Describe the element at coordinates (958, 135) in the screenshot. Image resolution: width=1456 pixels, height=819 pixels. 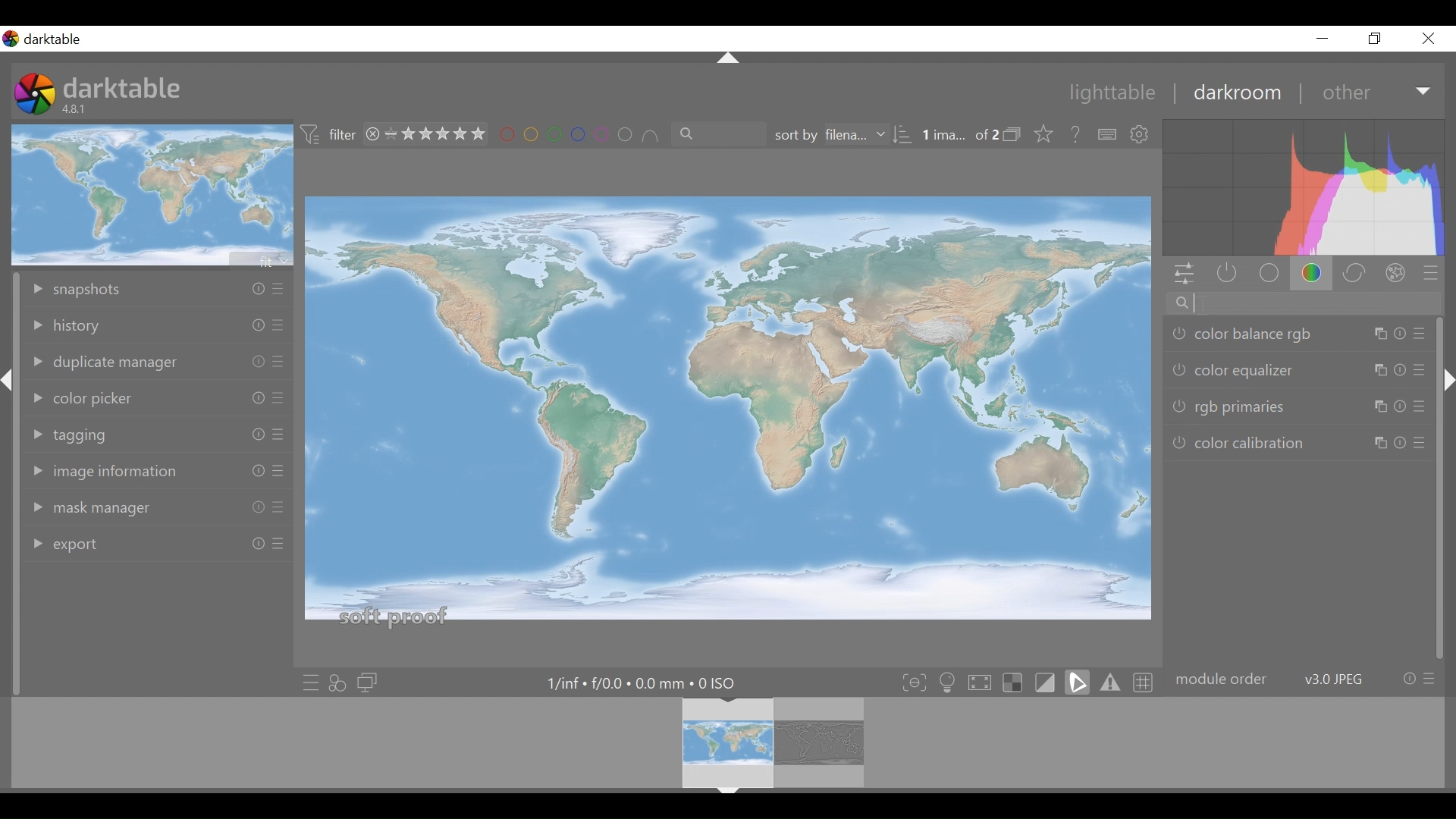
I see `1 ima... of 2` at that location.